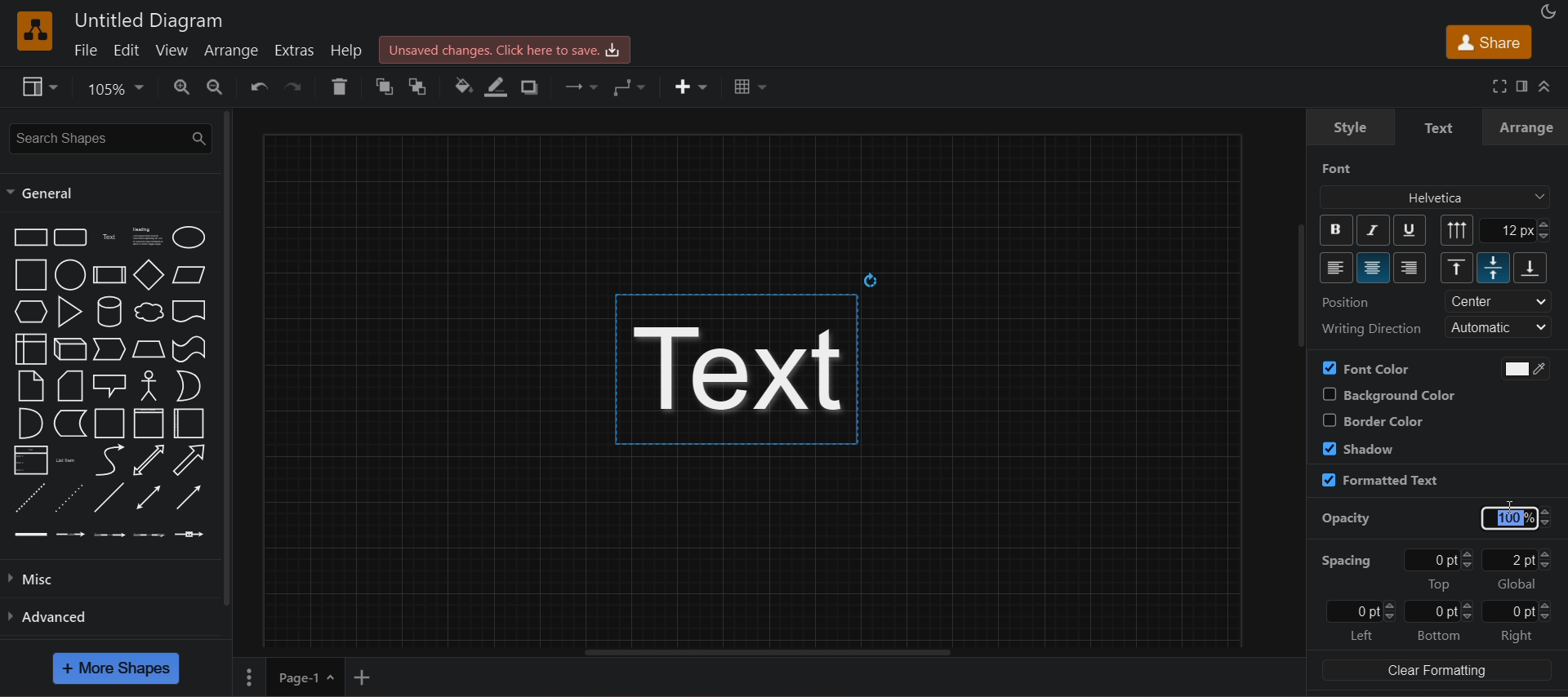  I want to click on link, so click(29, 535).